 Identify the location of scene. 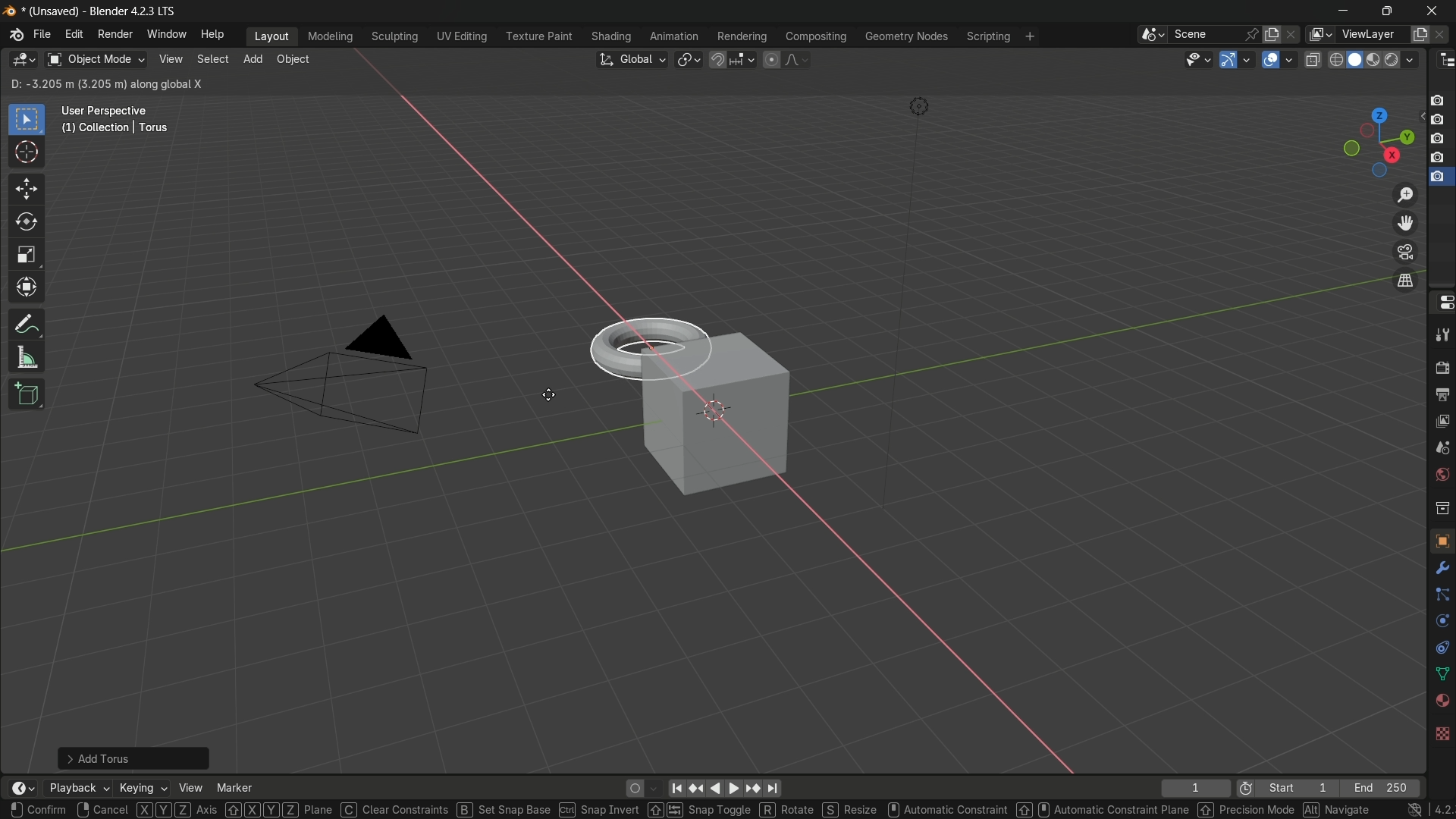
(1204, 34).